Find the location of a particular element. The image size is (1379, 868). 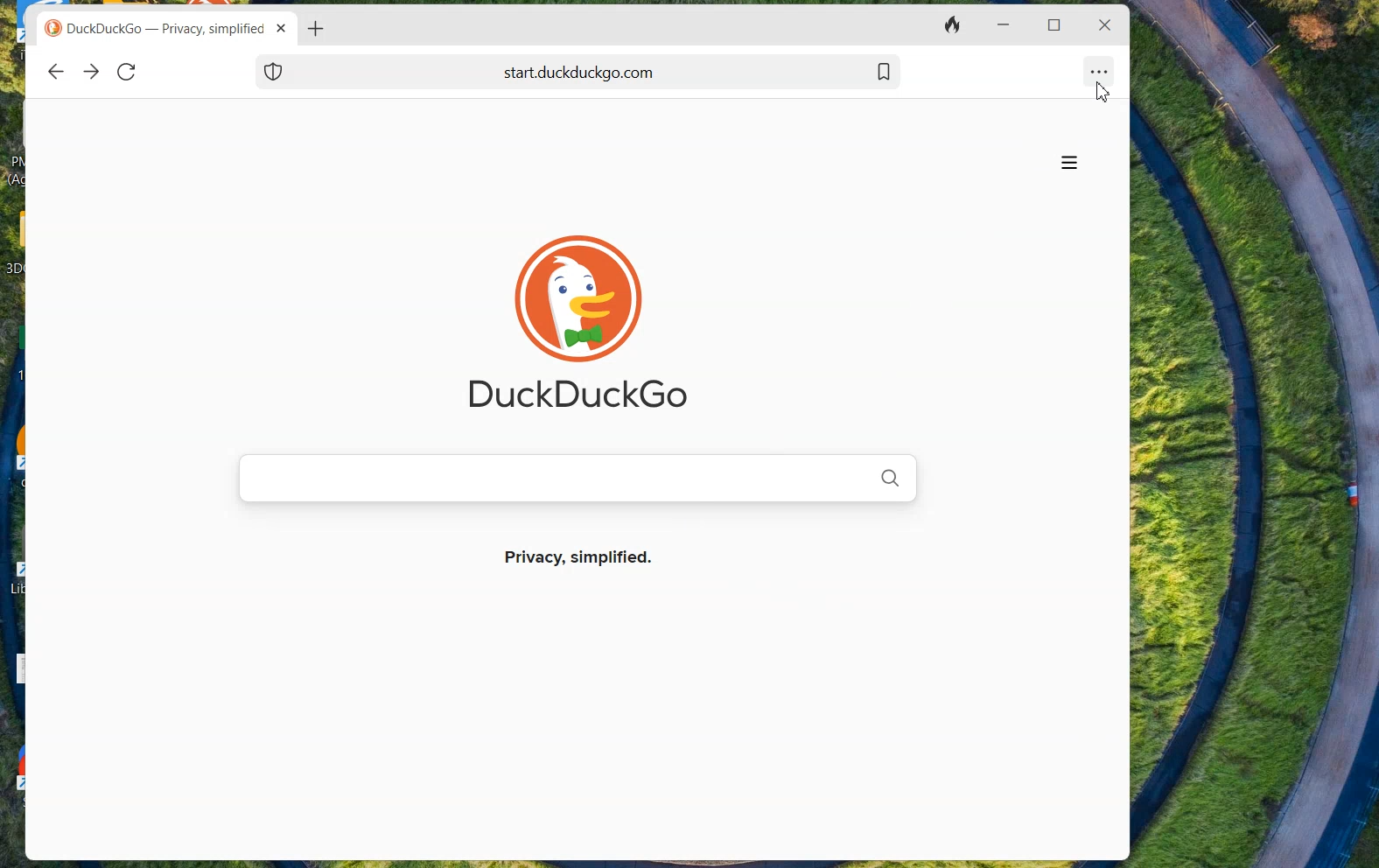

DuckDuckGo — Privacy, simplified is located at coordinates (169, 31).